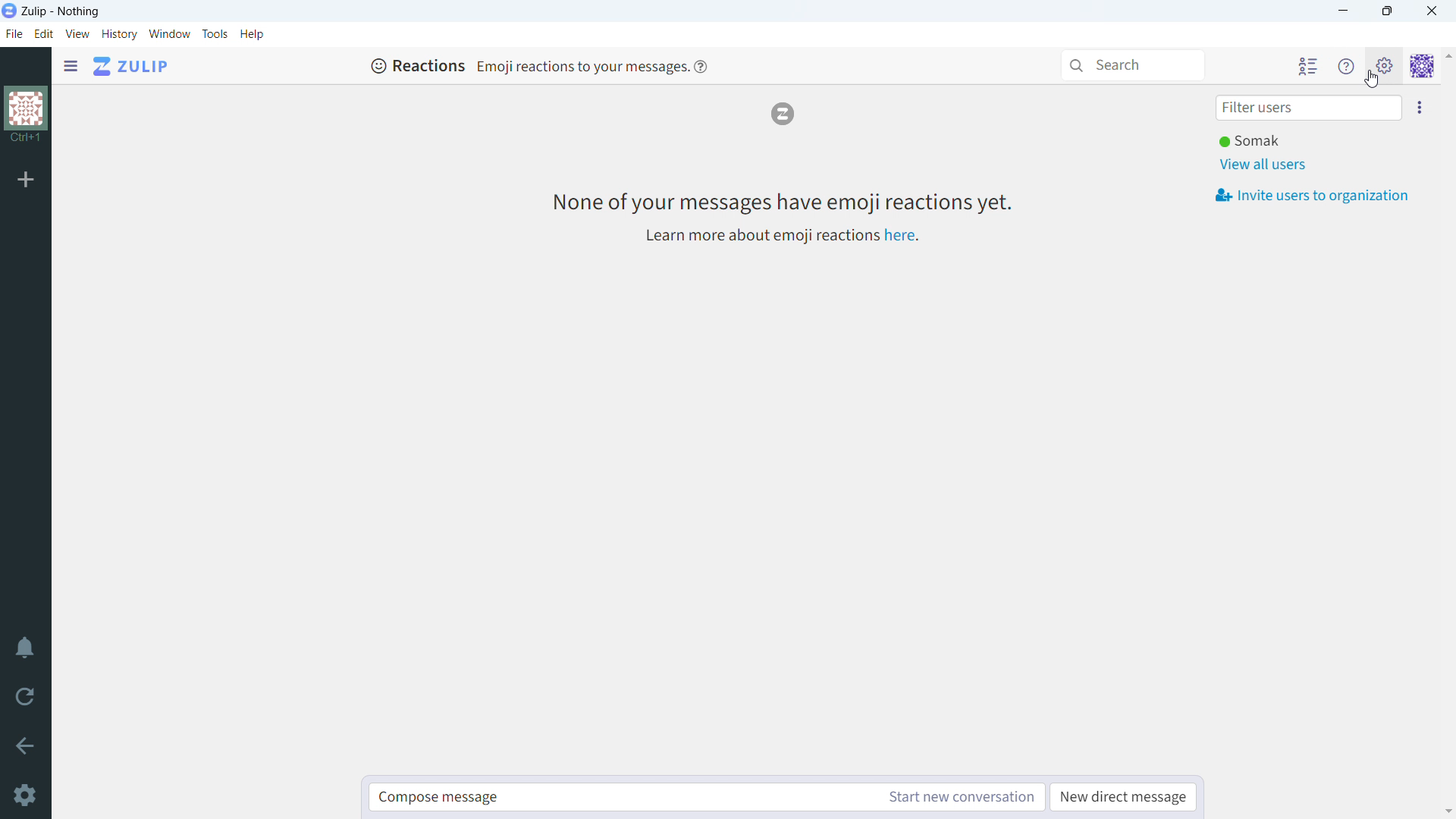 The width and height of the screenshot is (1456, 819). Describe the element at coordinates (1447, 55) in the screenshot. I see `scroll up` at that location.